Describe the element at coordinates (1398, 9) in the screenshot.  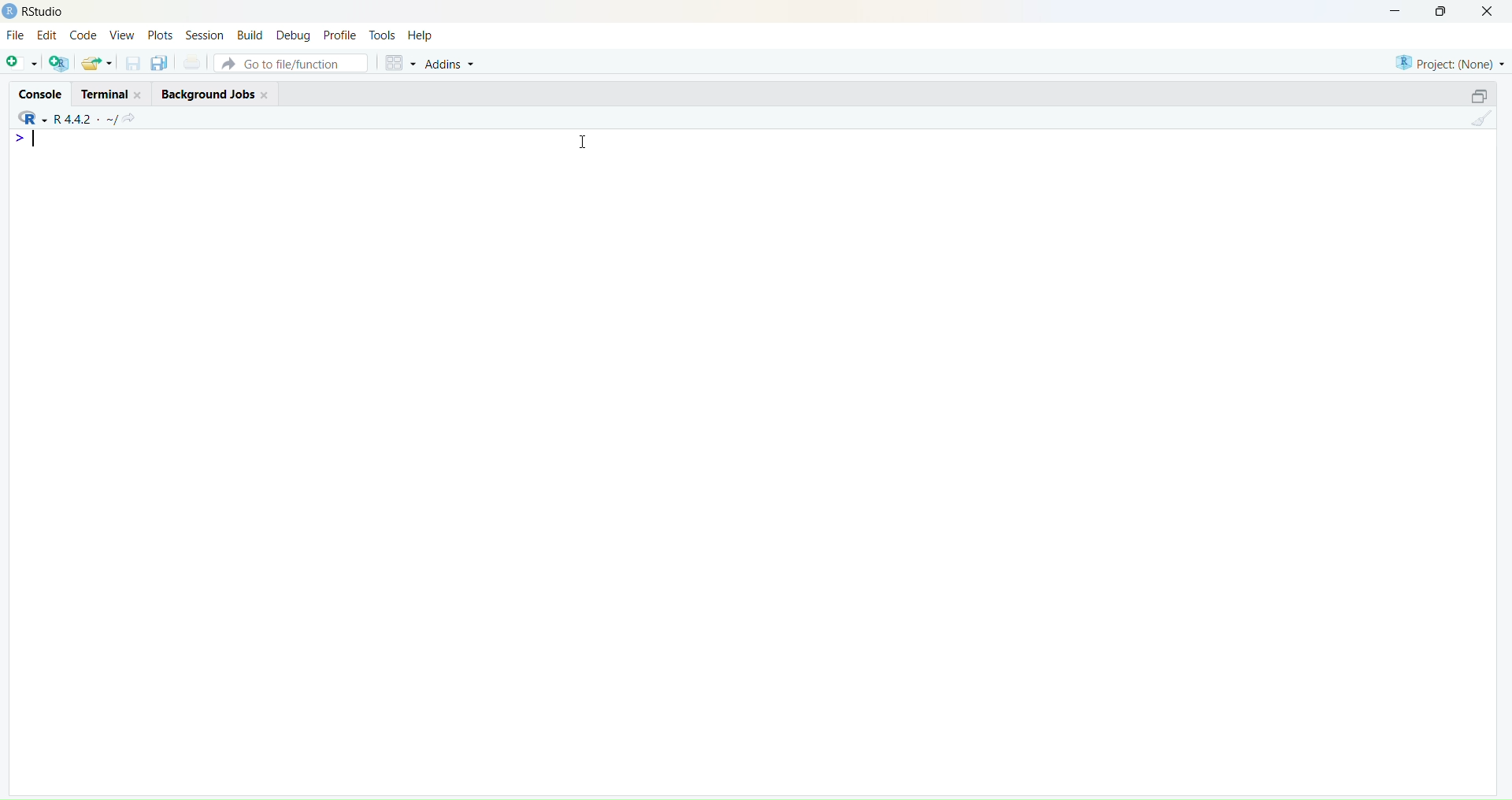
I see `minimise` at that location.